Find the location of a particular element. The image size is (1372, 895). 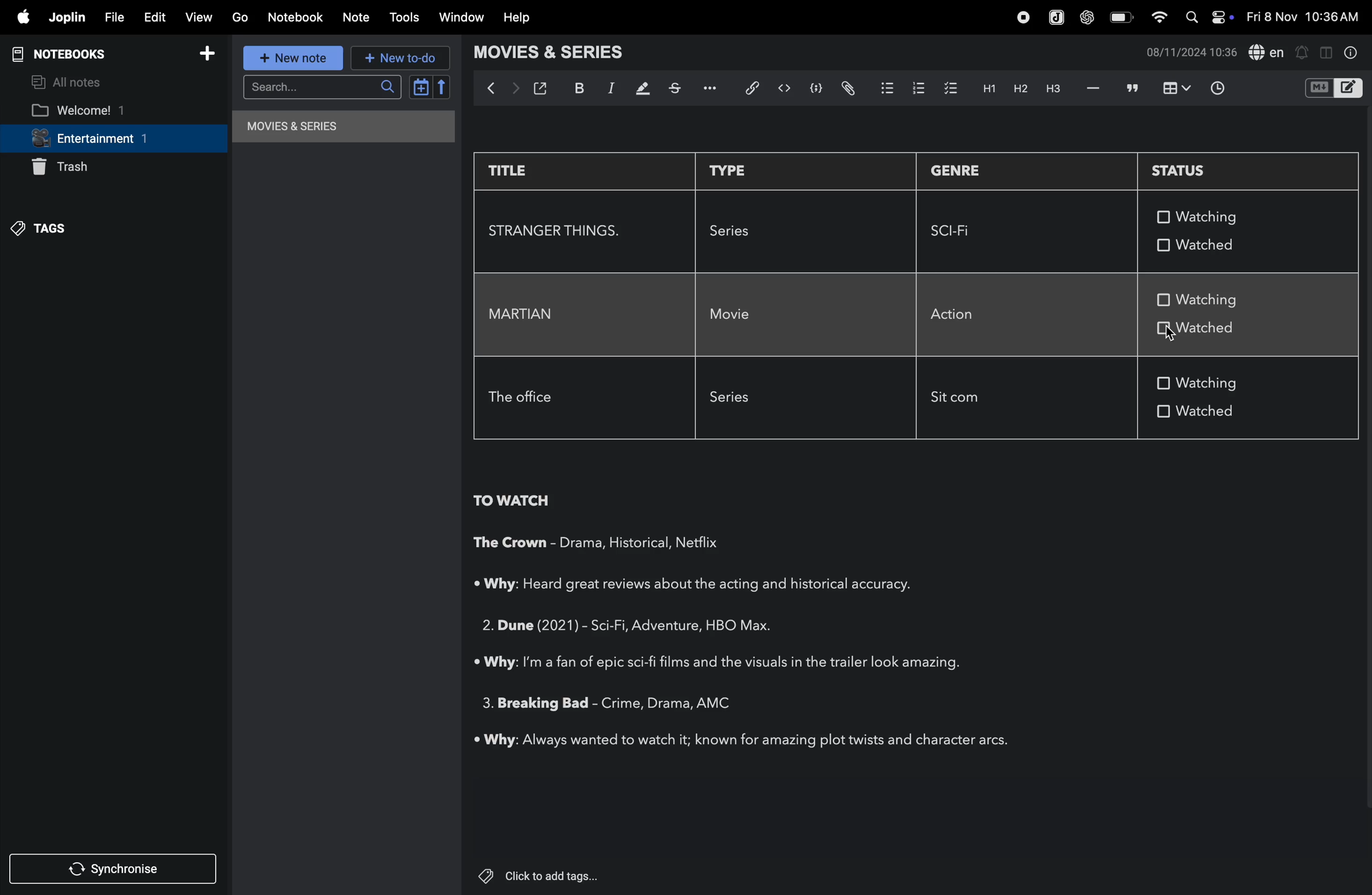

notebooks is located at coordinates (67, 52).